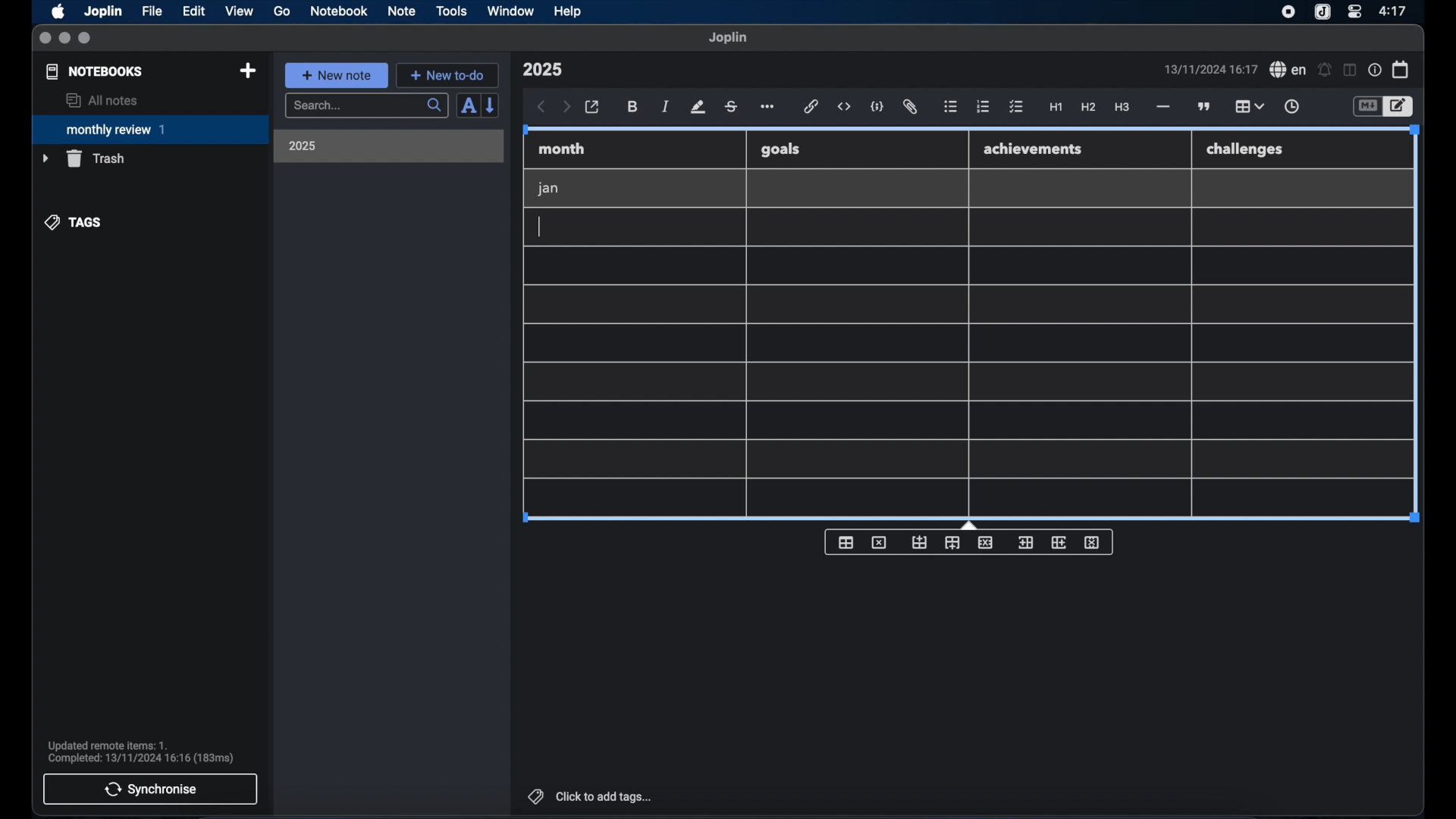 This screenshot has width=1456, height=819. Describe the element at coordinates (877, 108) in the screenshot. I see `code` at that location.